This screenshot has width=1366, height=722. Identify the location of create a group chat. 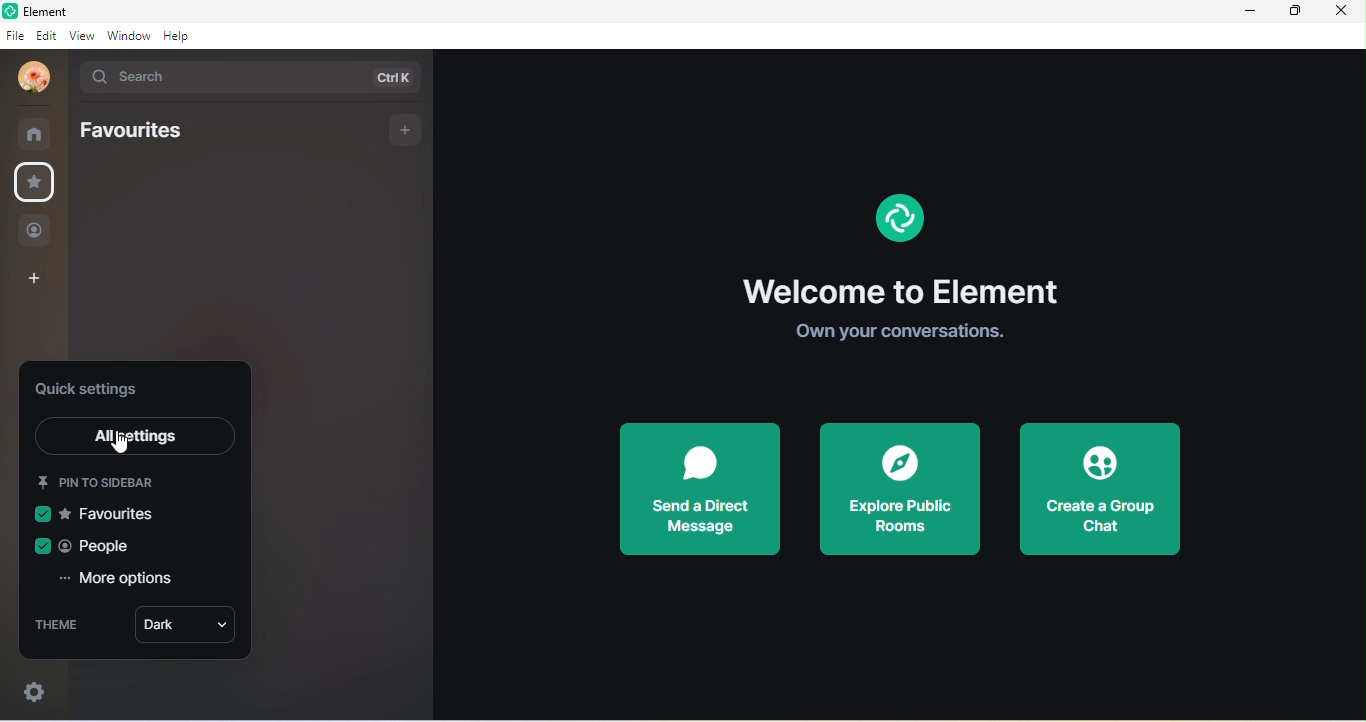
(1099, 484).